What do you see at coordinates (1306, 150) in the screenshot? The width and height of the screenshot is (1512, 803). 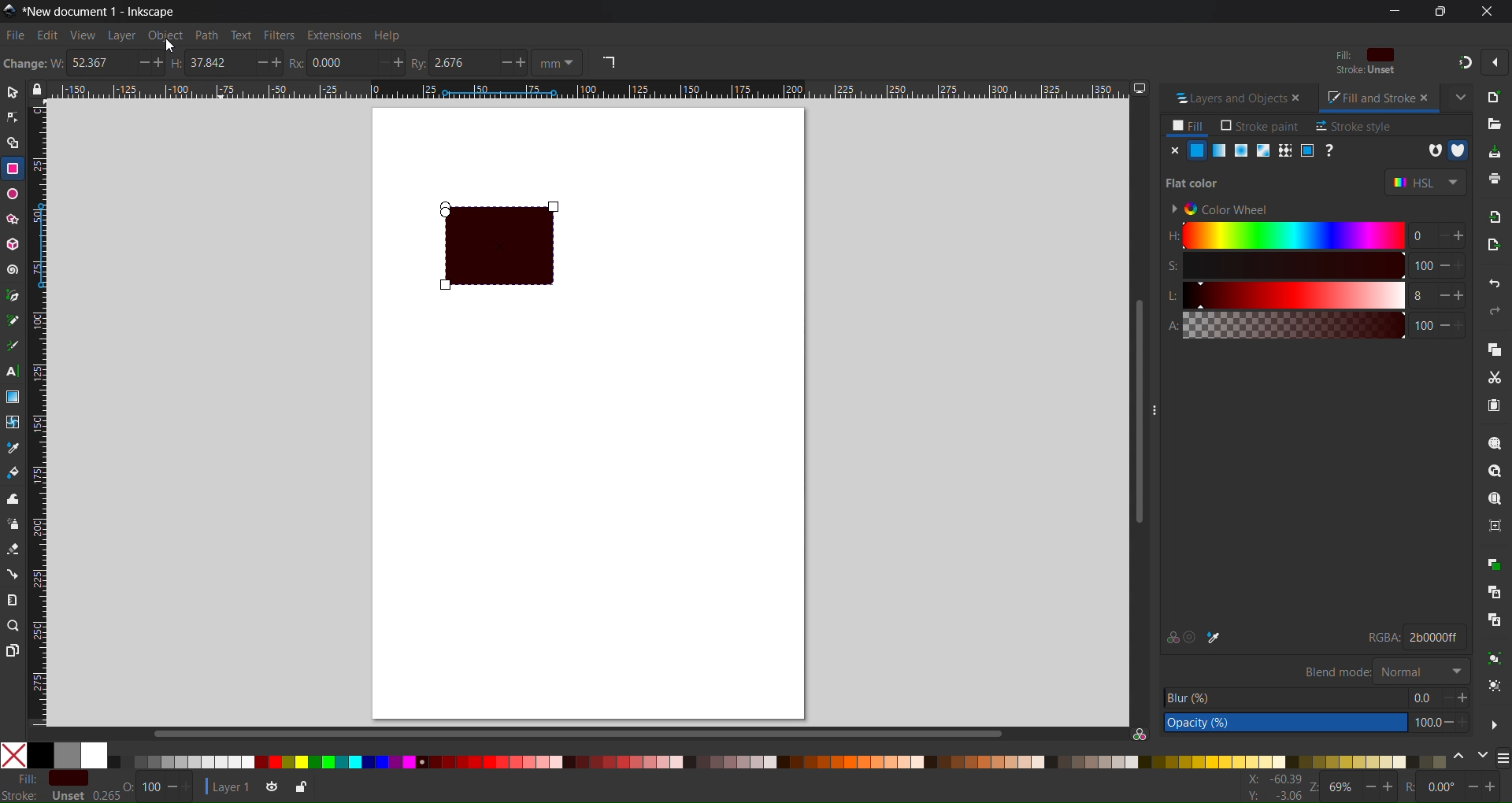 I see `Swatch` at bounding box center [1306, 150].